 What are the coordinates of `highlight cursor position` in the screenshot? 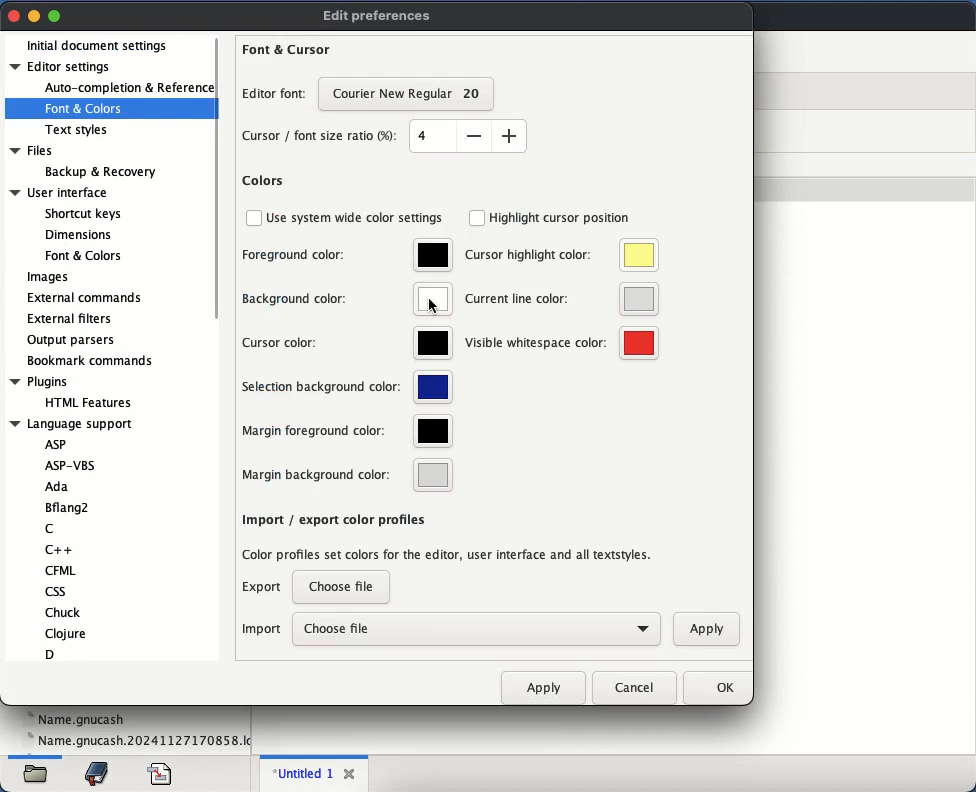 It's located at (563, 217).